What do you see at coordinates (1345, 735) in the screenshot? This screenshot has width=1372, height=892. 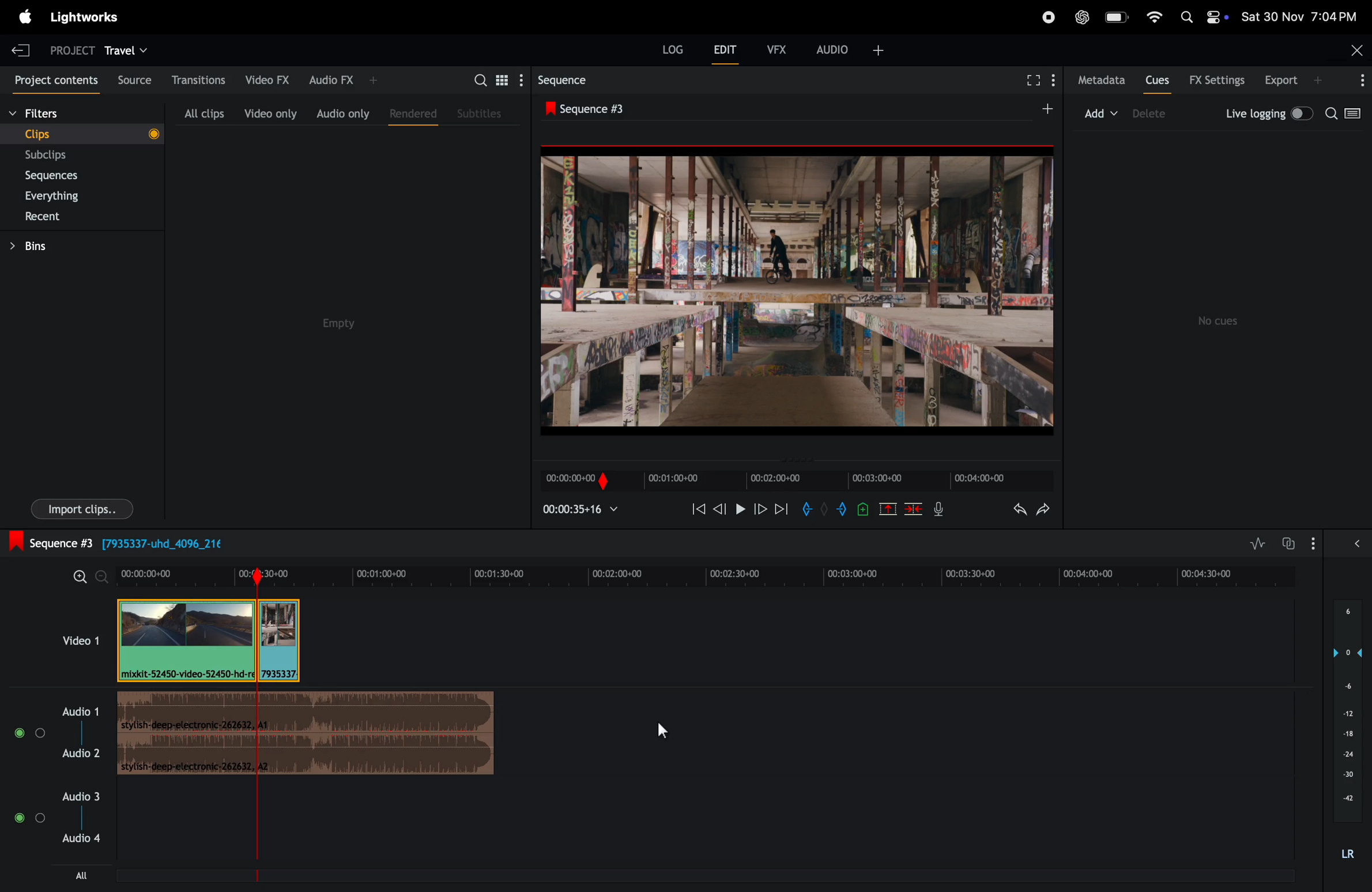 I see `-18 (layers)` at bounding box center [1345, 735].